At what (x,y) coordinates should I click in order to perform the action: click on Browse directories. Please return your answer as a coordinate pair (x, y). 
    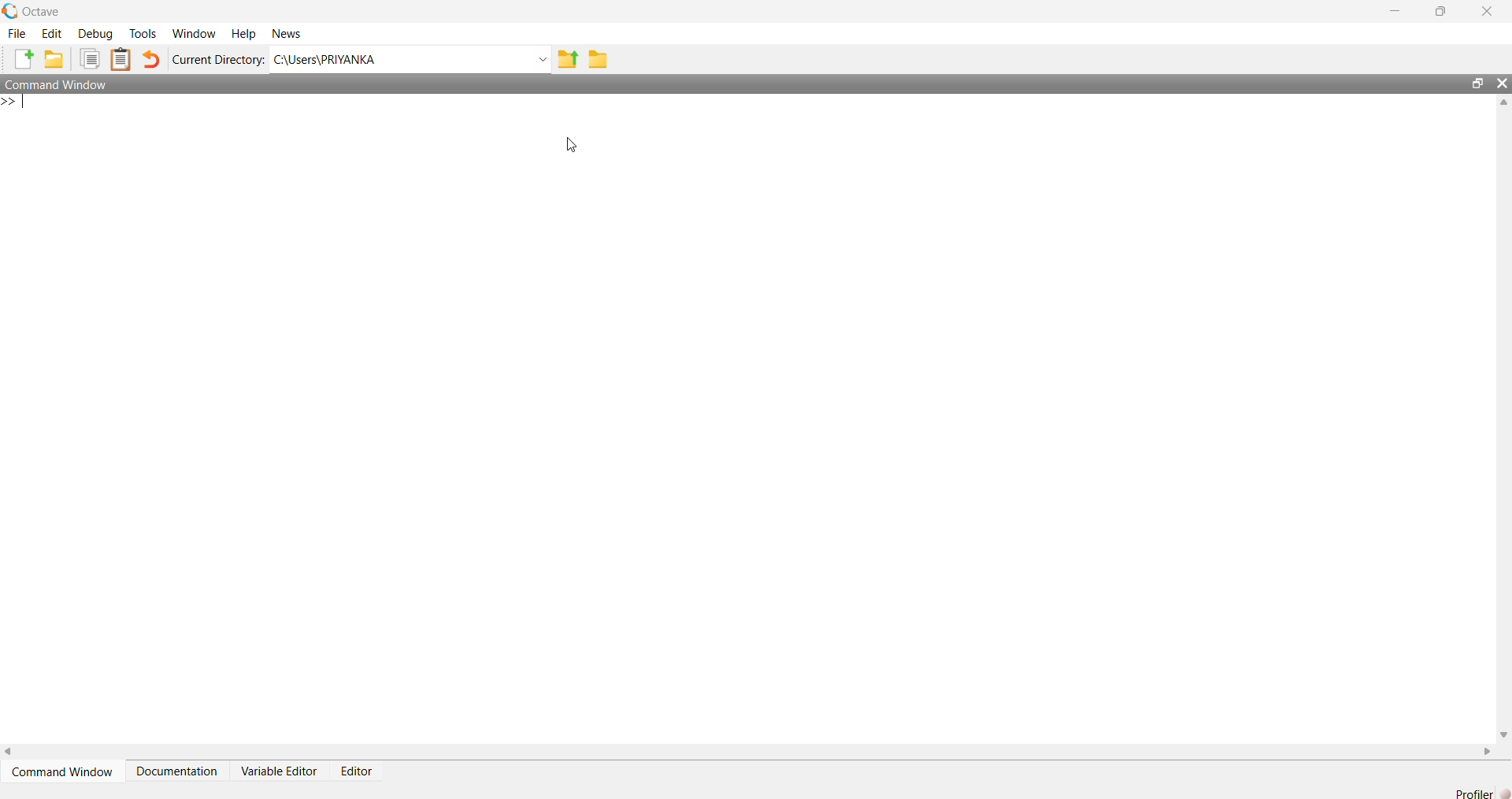
    Looking at the image, I should click on (597, 58).